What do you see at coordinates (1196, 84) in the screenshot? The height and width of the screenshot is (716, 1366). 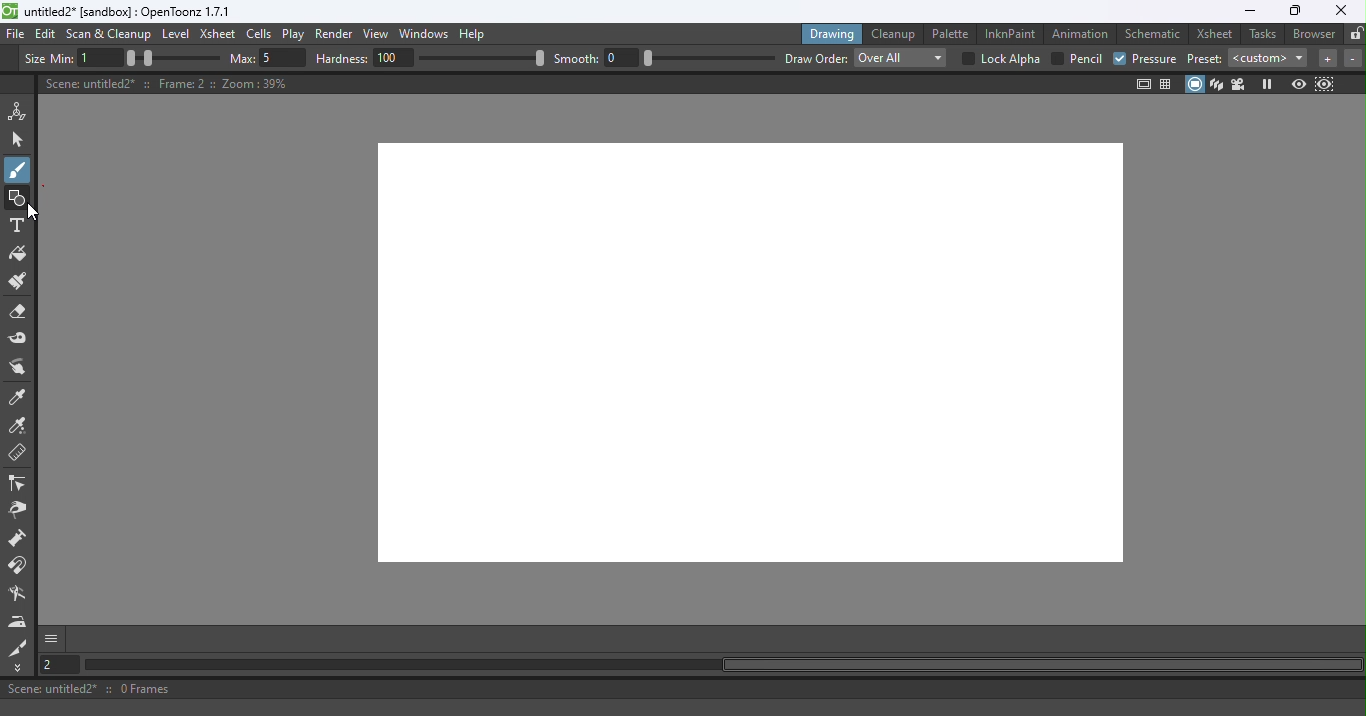 I see `Camera stand view` at bounding box center [1196, 84].